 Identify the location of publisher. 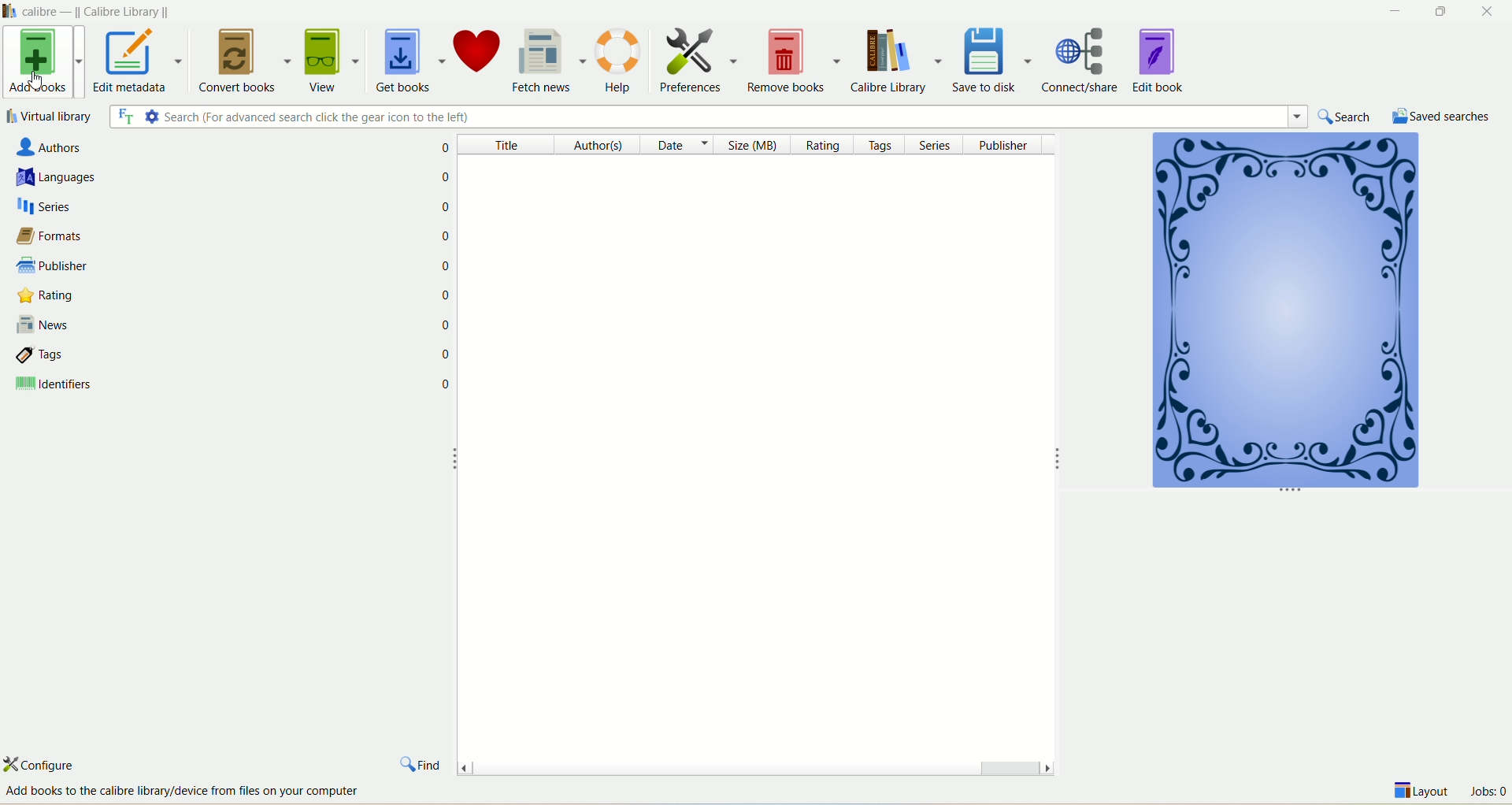
(1008, 144).